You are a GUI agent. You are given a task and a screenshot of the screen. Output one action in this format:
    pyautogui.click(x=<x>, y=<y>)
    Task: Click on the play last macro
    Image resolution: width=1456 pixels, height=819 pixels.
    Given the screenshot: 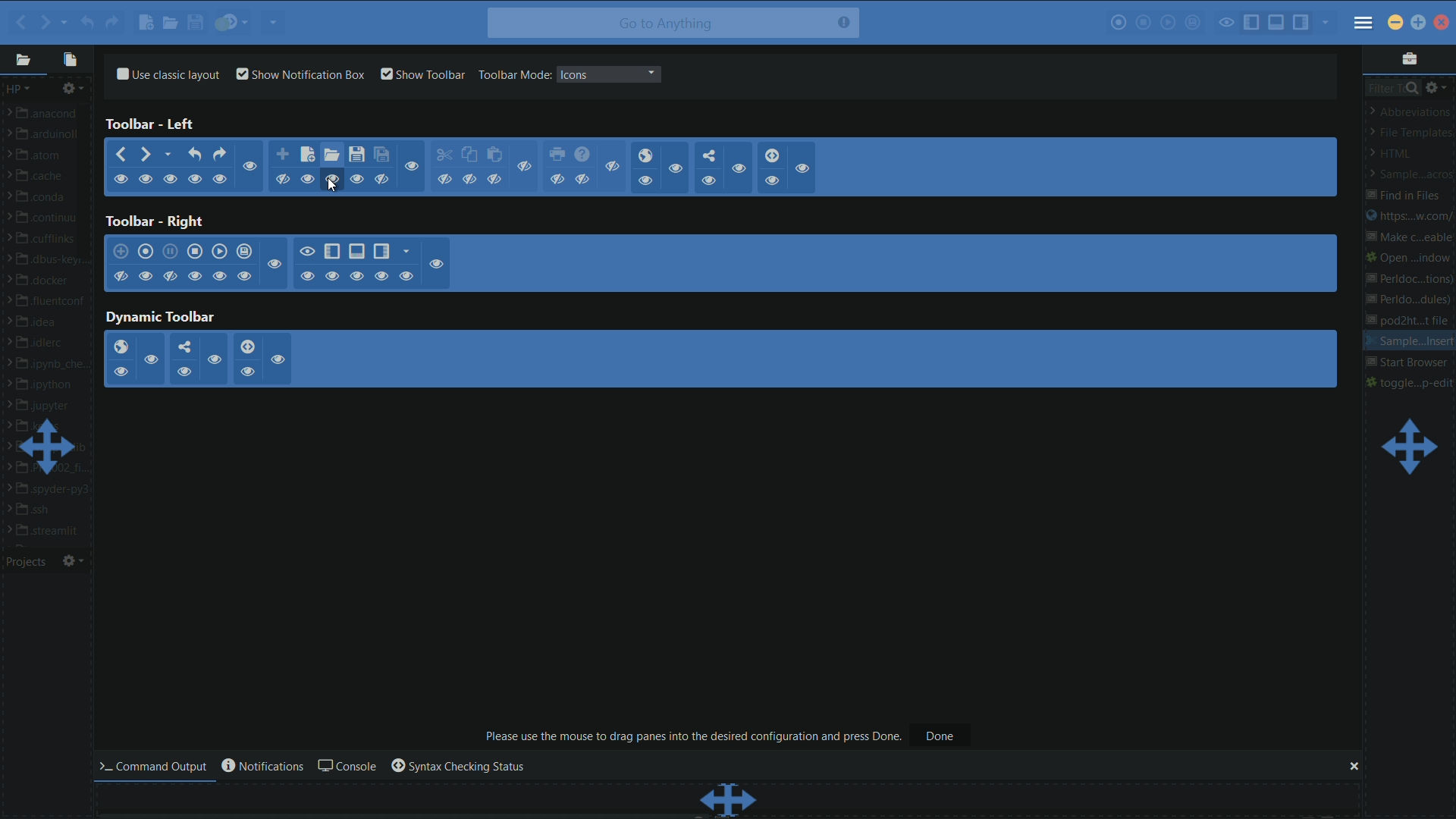 What is the action you would take?
    pyautogui.click(x=1168, y=23)
    